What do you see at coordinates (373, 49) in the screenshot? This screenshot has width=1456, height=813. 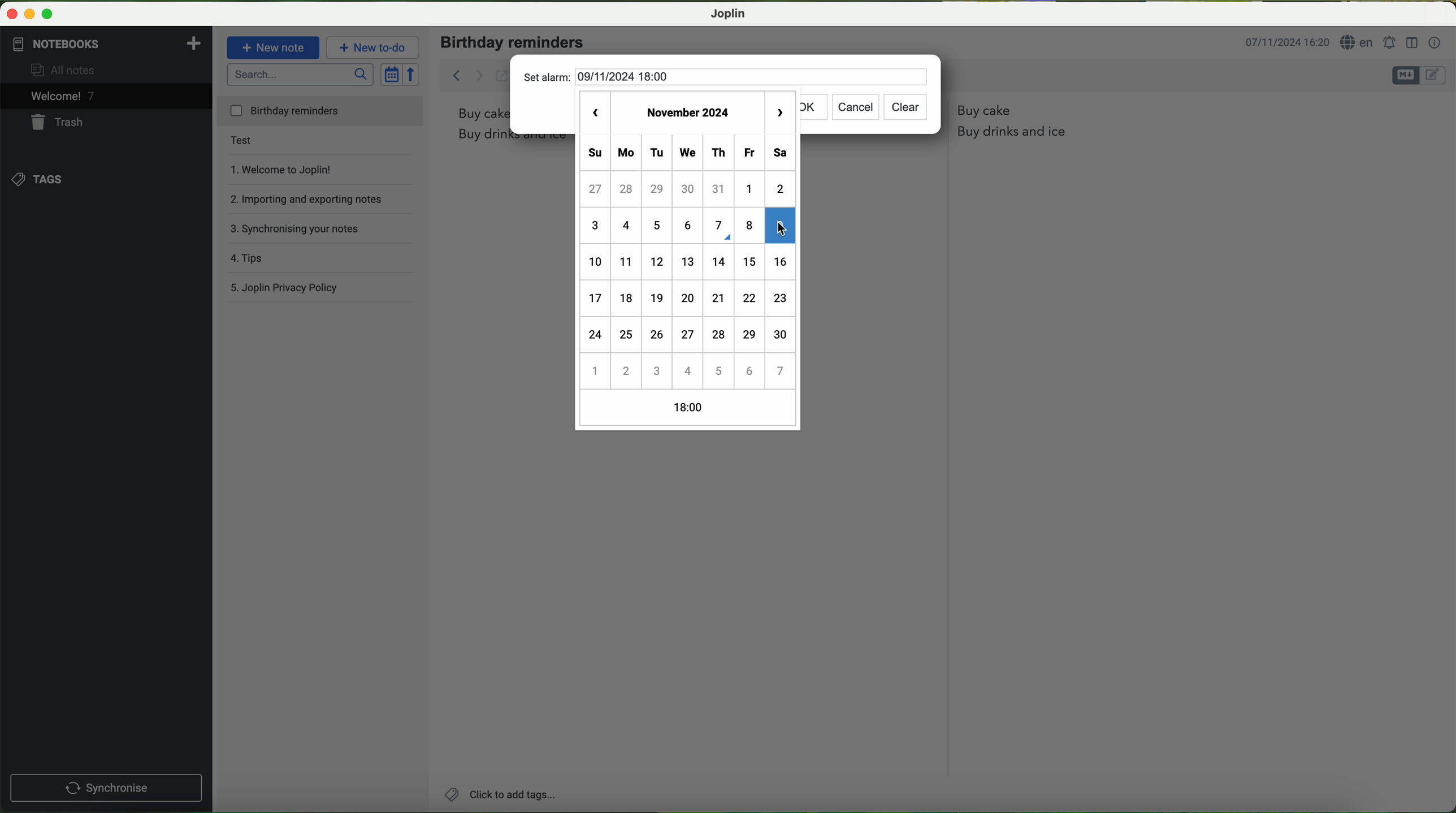 I see `new to-do button` at bounding box center [373, 49].